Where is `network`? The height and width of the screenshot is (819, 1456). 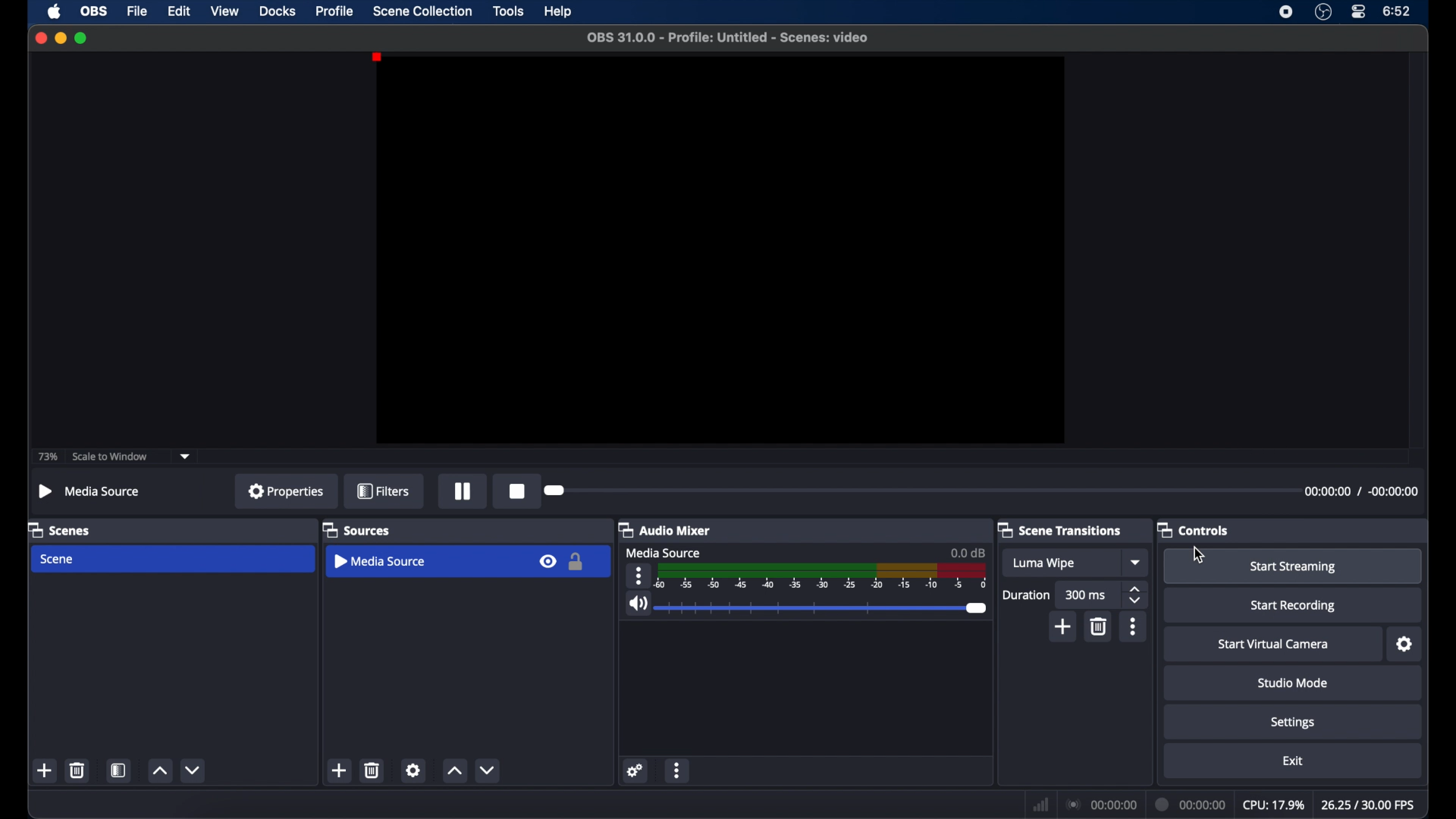
network is located at coordinates (1041, 805).